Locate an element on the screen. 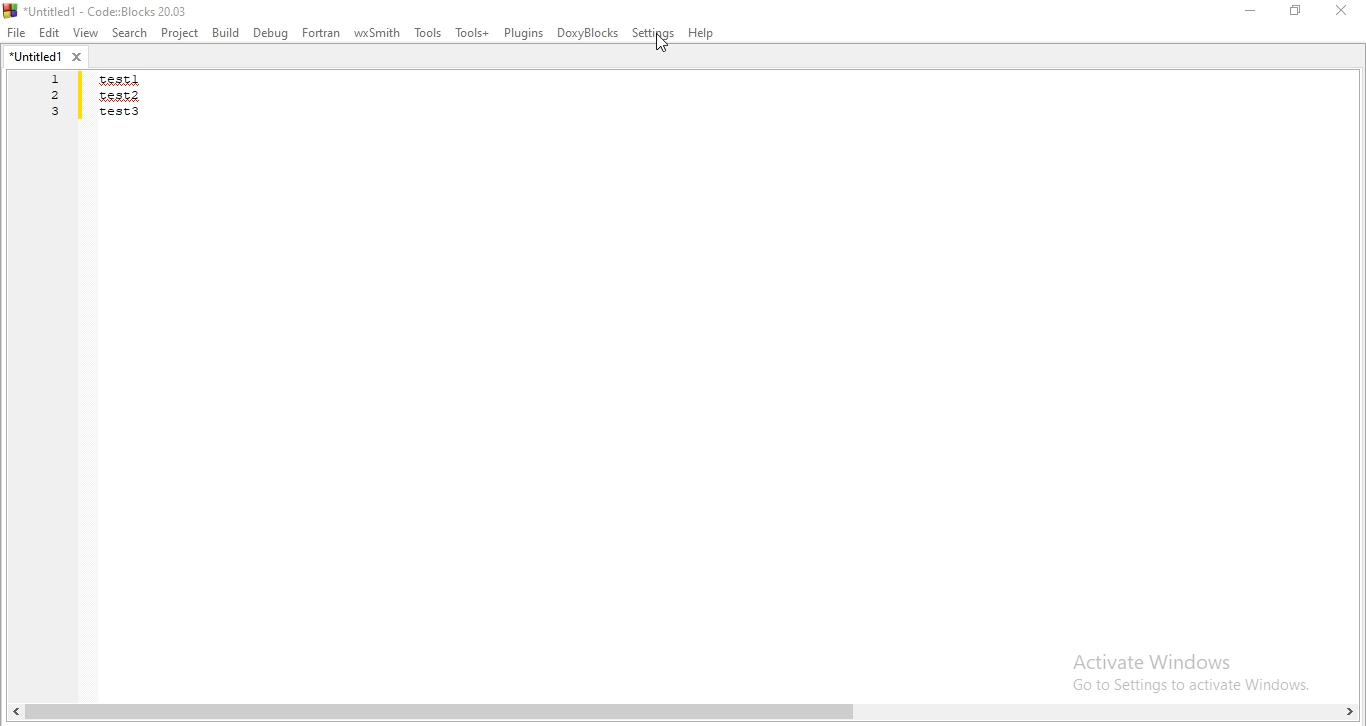 This screenshot has height=726, width=1366. Tools  is located at coordinates (426, 34).